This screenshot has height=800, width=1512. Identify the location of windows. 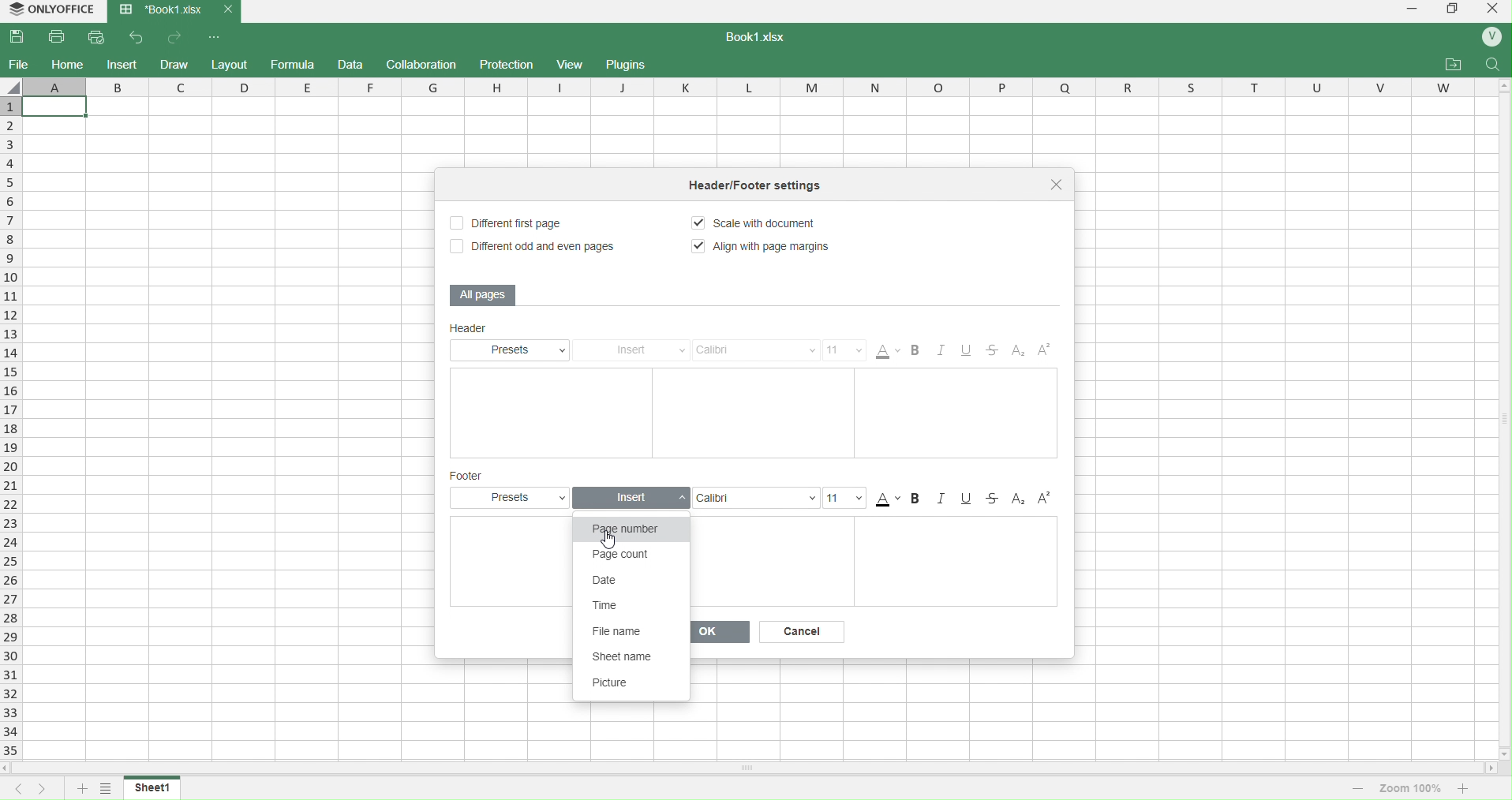
(1451, 11).